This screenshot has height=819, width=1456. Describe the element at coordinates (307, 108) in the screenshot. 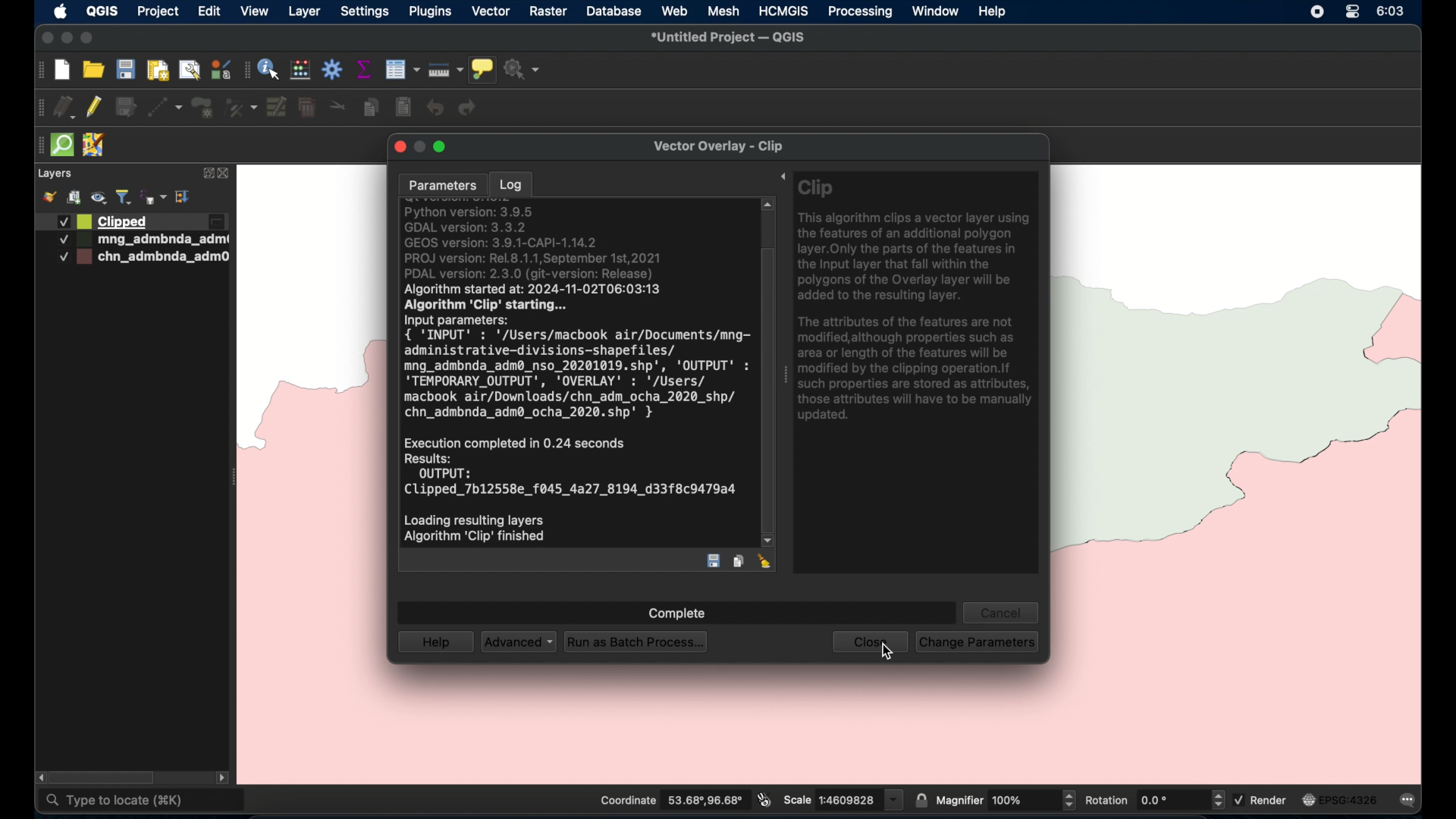

I see `delete selected` at that location.